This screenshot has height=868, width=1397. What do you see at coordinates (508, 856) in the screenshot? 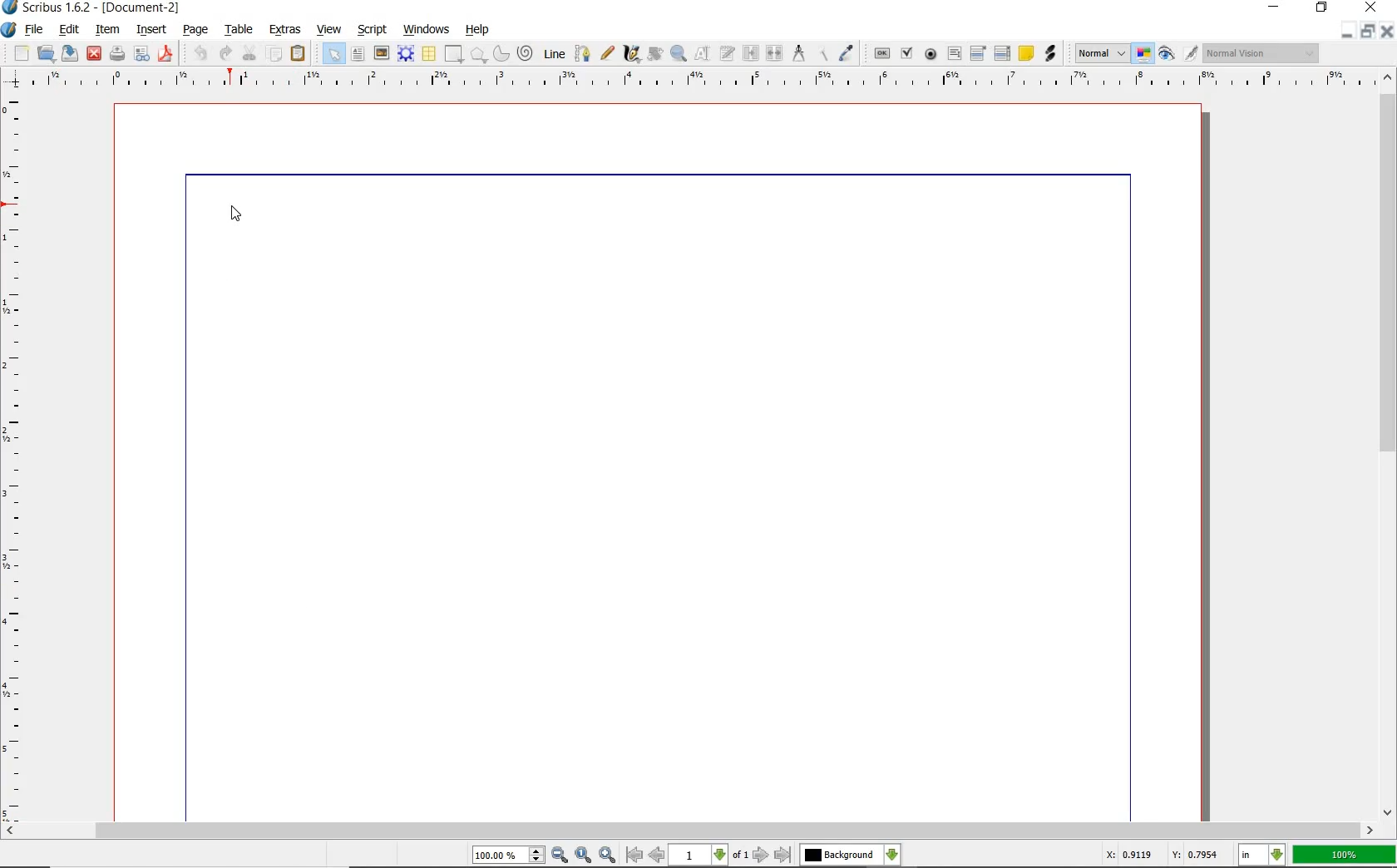
I see `select current zoom level` at bounding box center [508, 856].